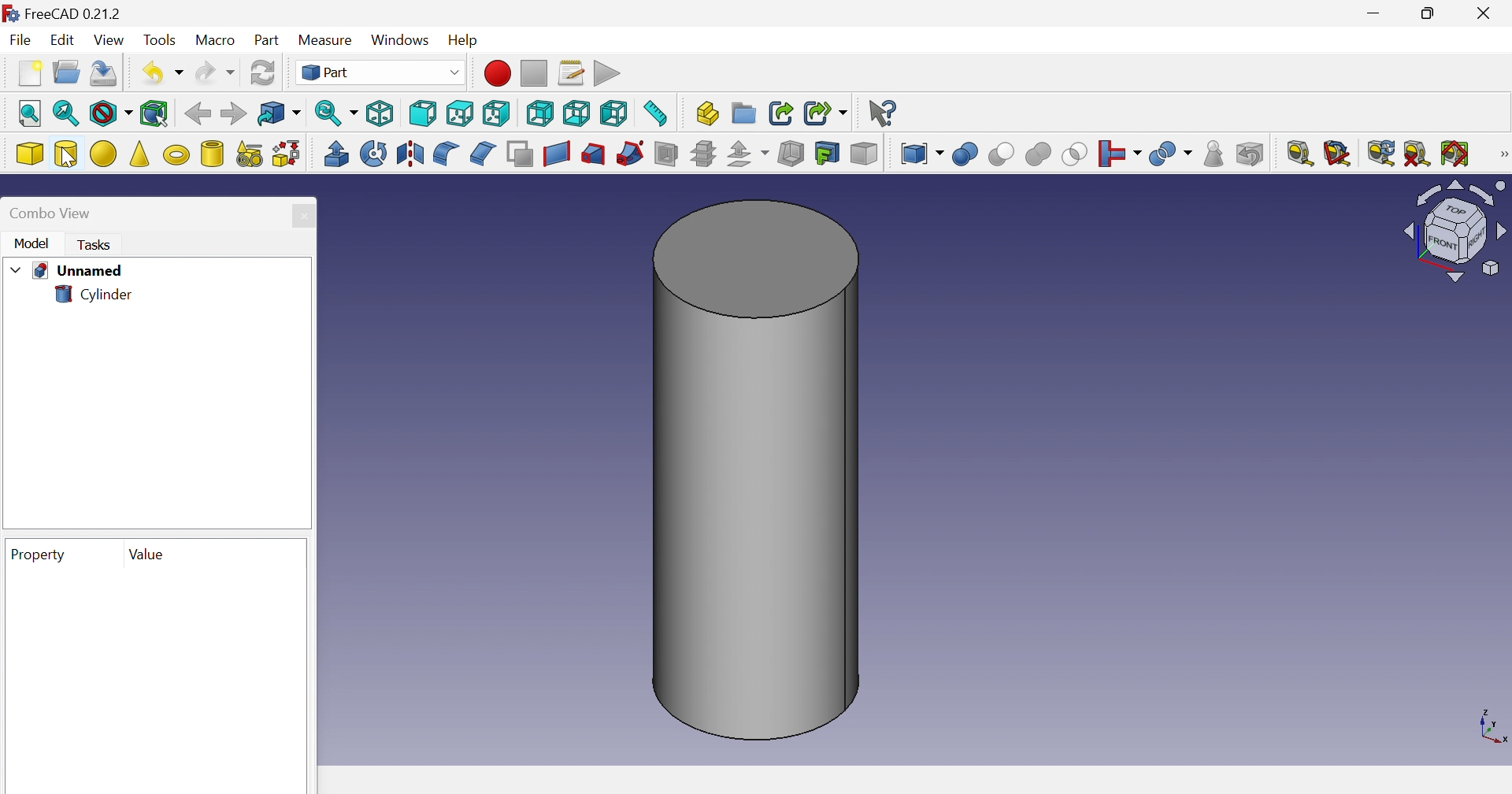  What do you see at coordinates (67, 70) in the screenshot?
I see `Open` at bounding box center [67, 70].